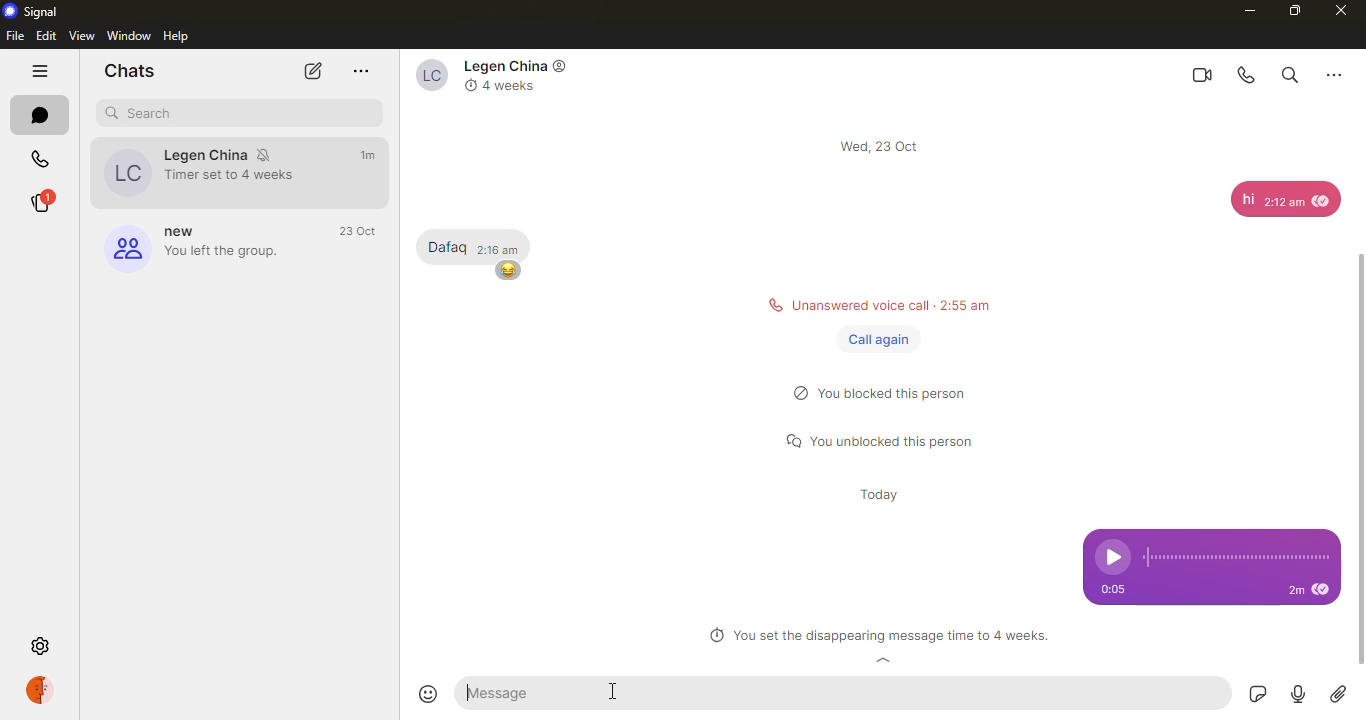  I want to click on calls, so click(40, 161).